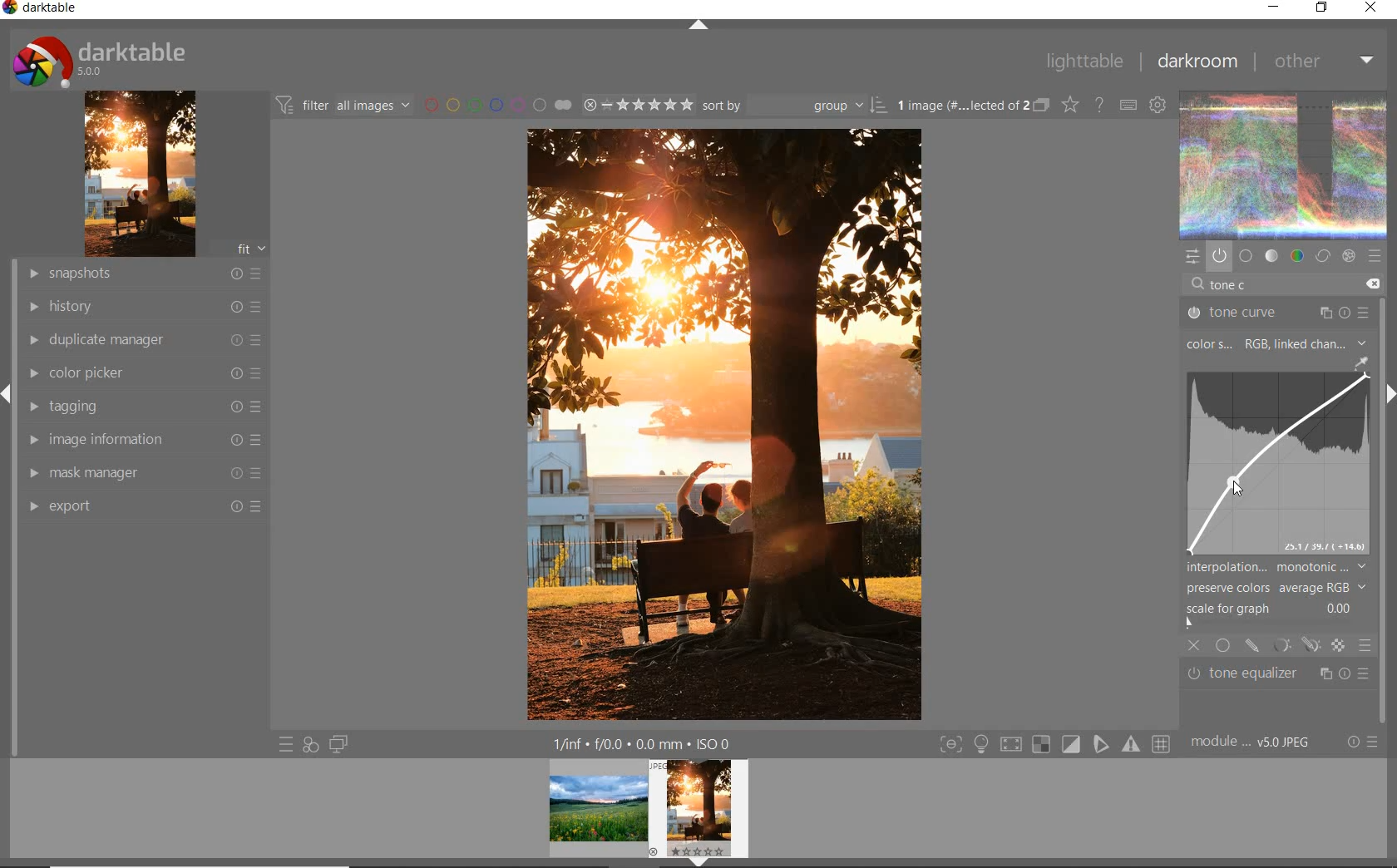 This screenshot has height=868, width=1397. What do you see at coordinates (1322, 256) in the screenshot?
I see `correct` at bounding box center [1322, 256].